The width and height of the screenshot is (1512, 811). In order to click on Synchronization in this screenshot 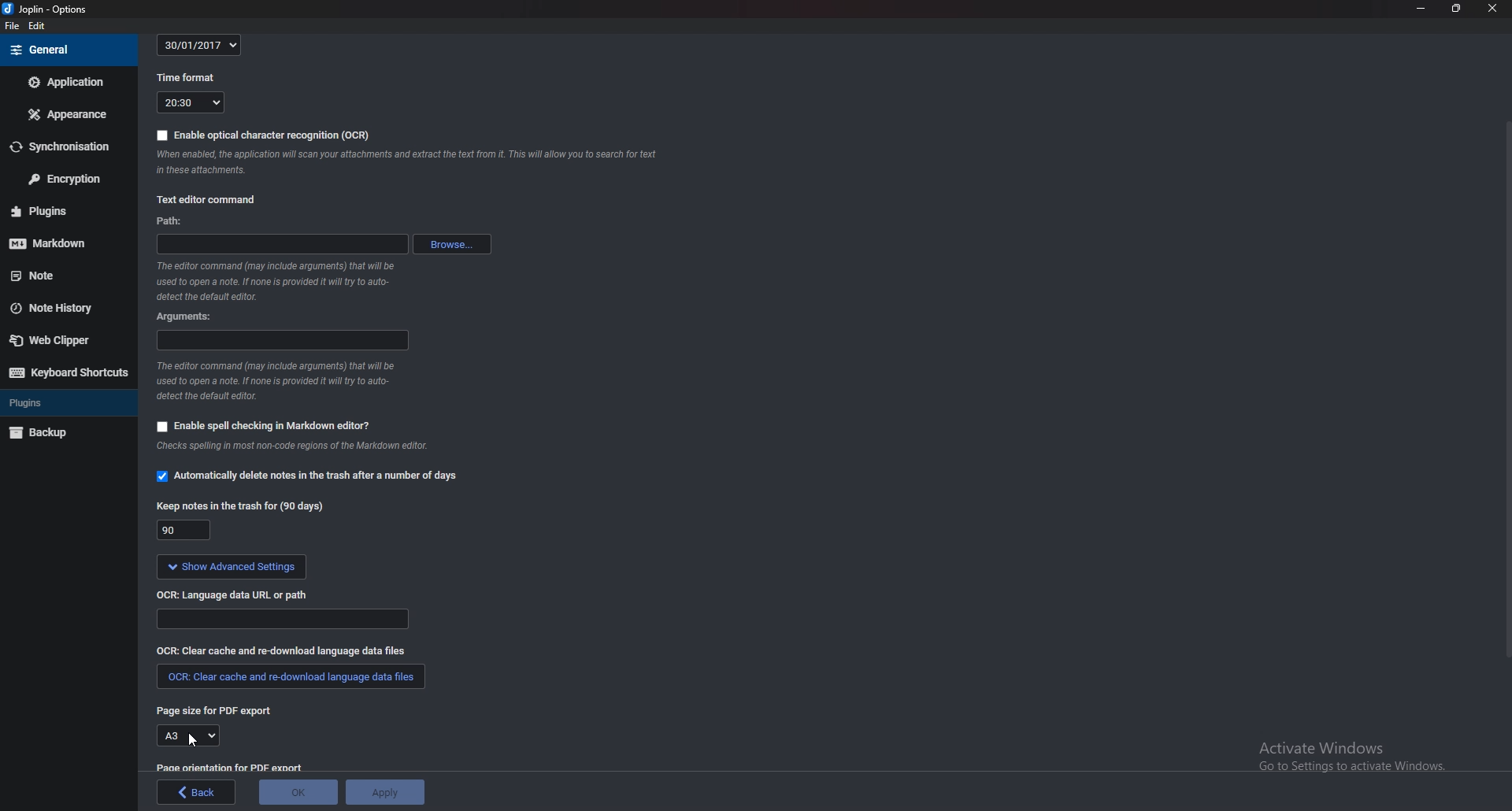, I will do `click(64, 146)`.